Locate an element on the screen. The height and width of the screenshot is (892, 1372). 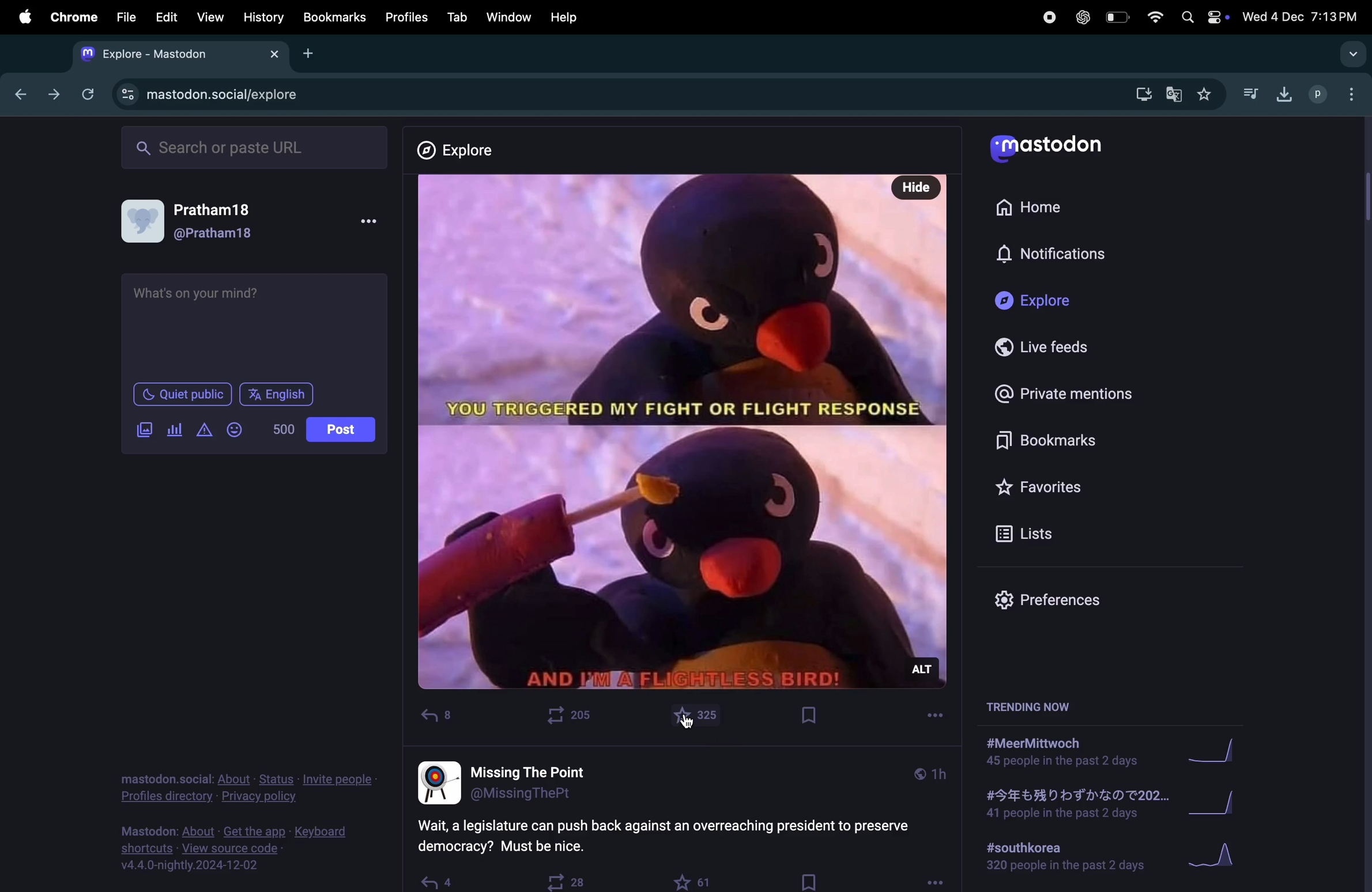
view is located at coordinates (211, 16).